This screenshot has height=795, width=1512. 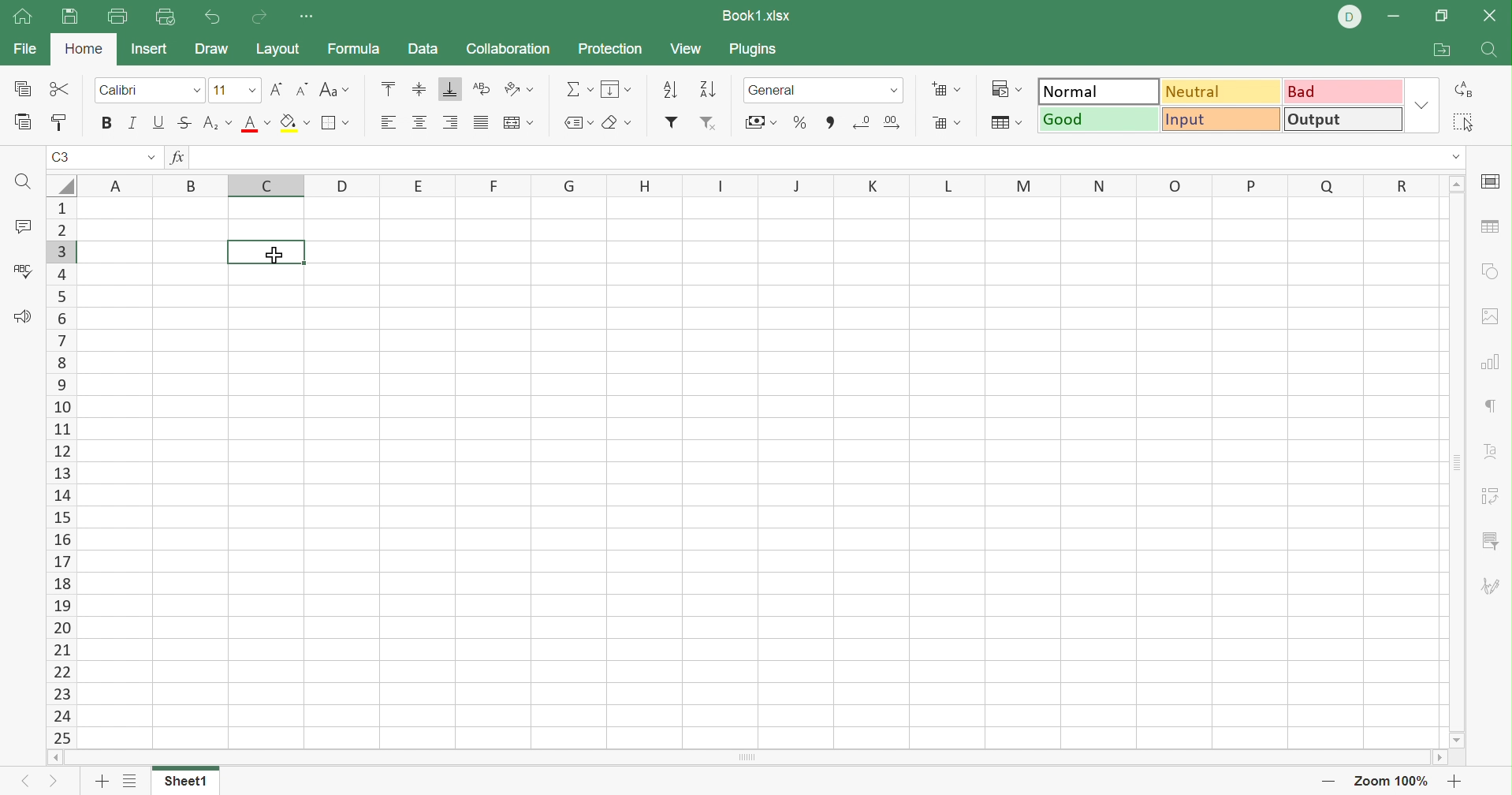 I want to click on Protection, so click(x=612, y=50).